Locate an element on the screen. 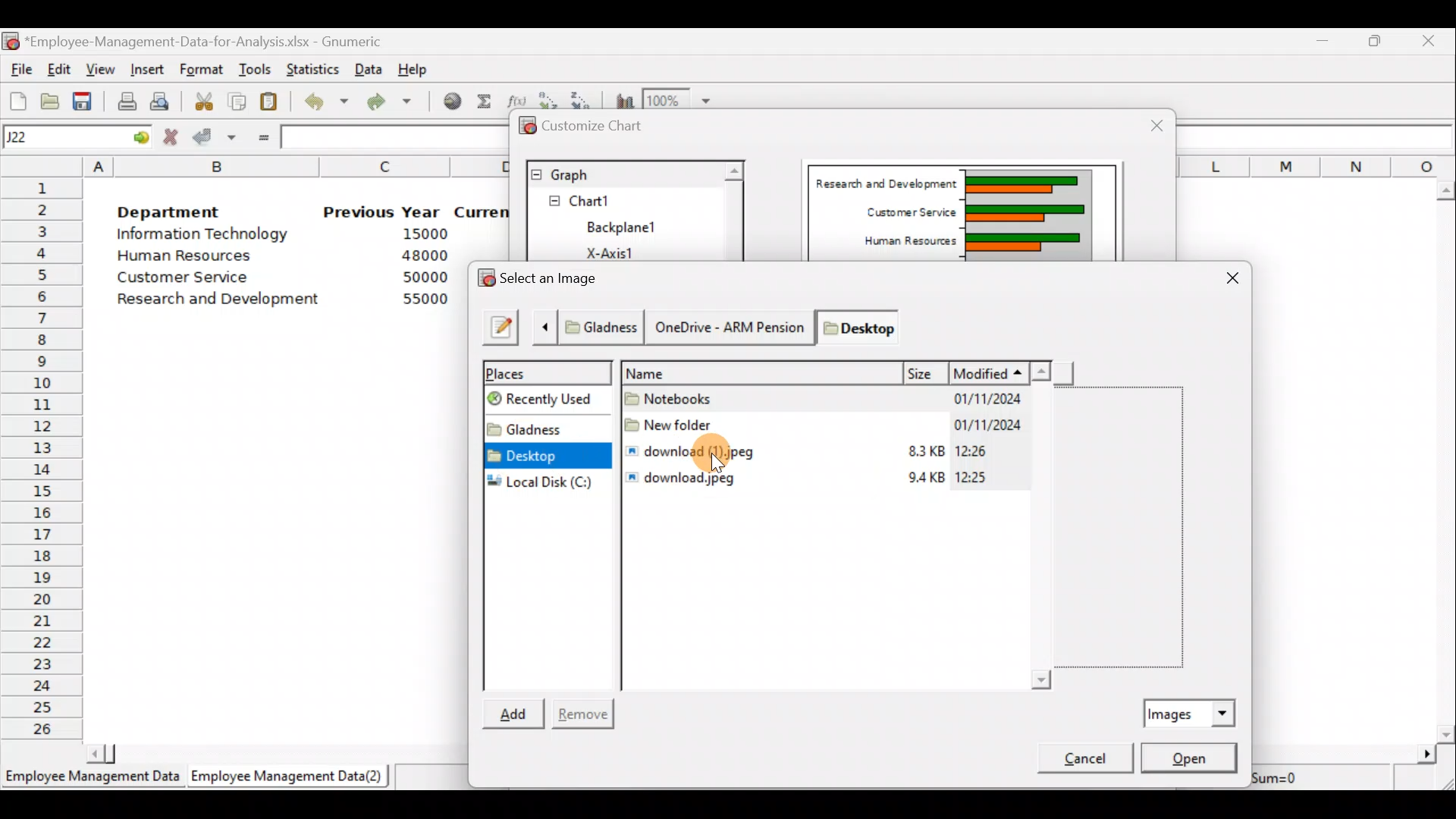  go to is located at coordinates (140, 137).